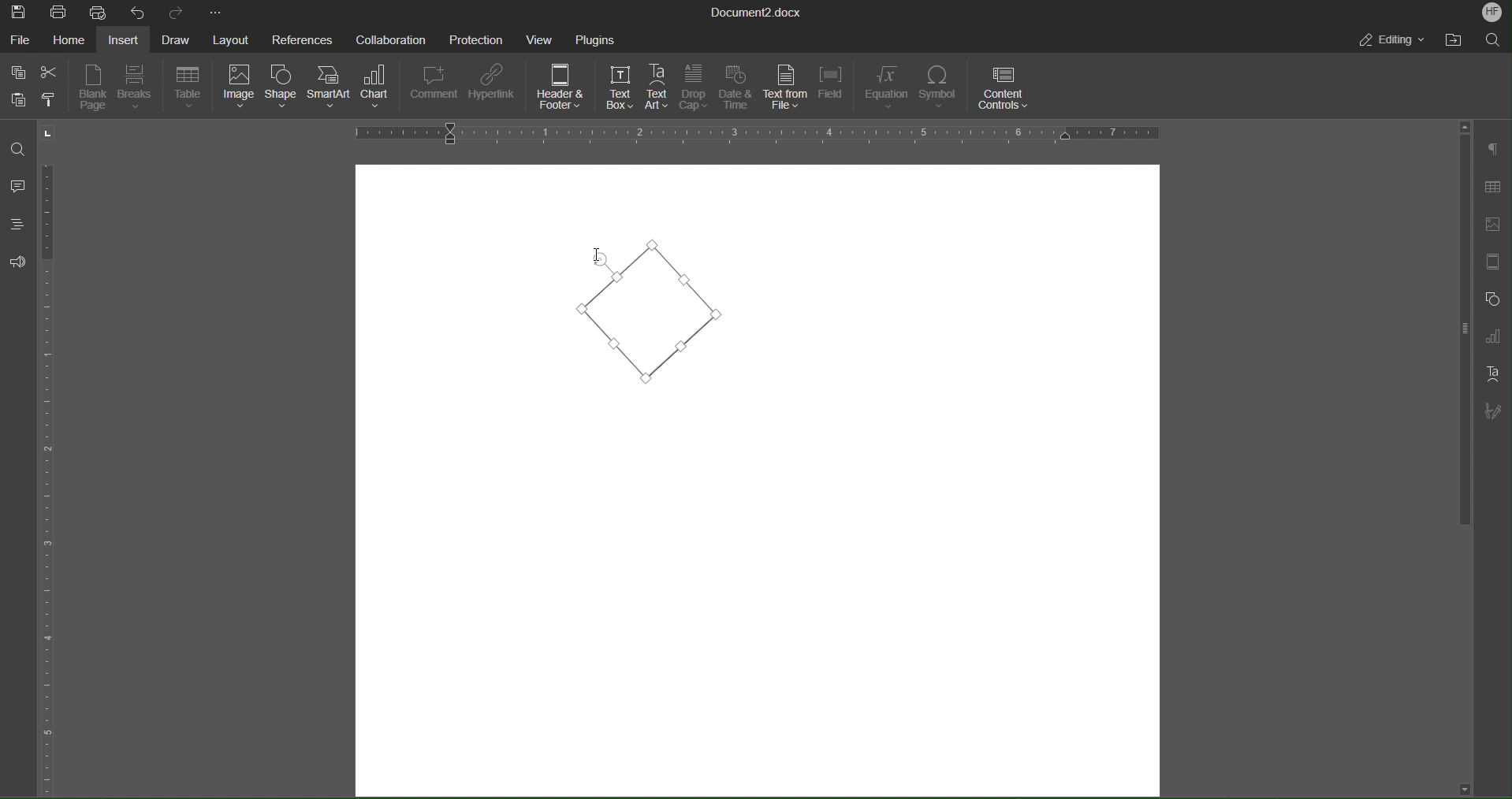 The width and height of the screenshot is (1512, 799). What do you see at coordinates (17, 262) in the screenshot?
I see `Feedback and Support` at bounding box center [17, 262].